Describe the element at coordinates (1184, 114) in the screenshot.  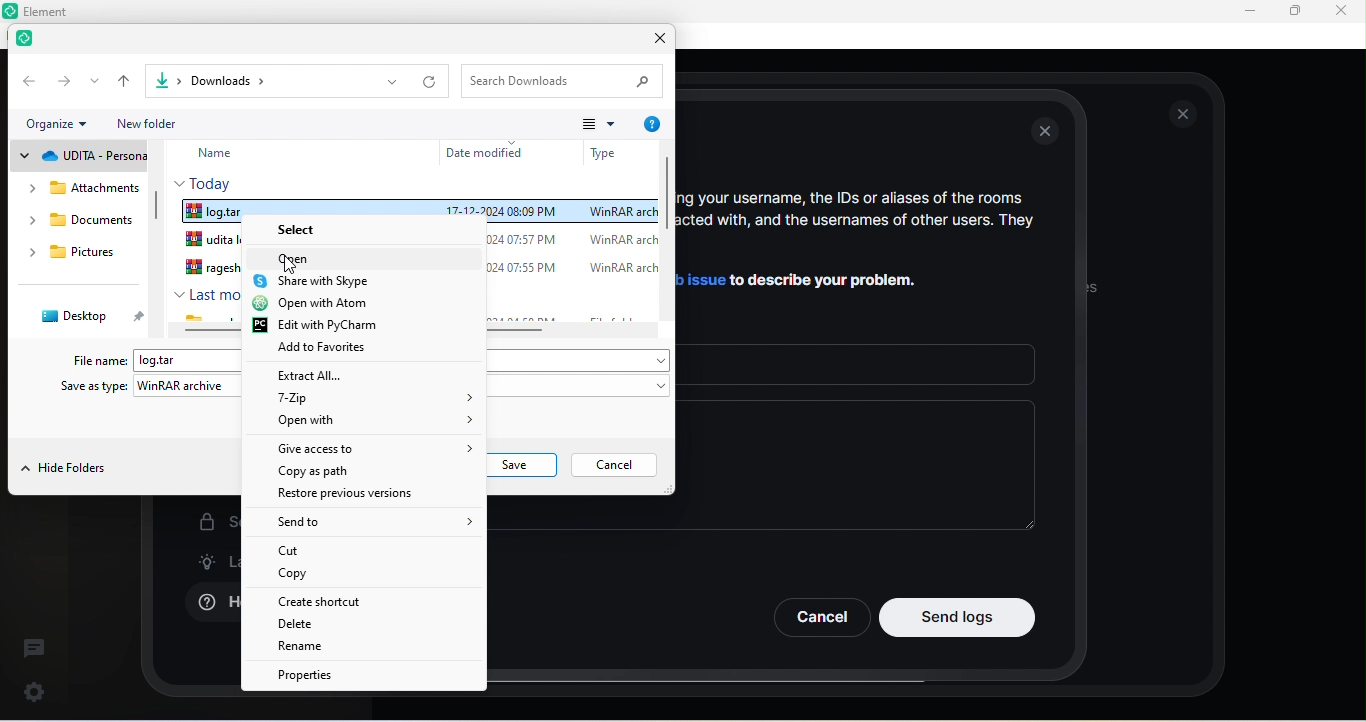
I see `close` at that location.